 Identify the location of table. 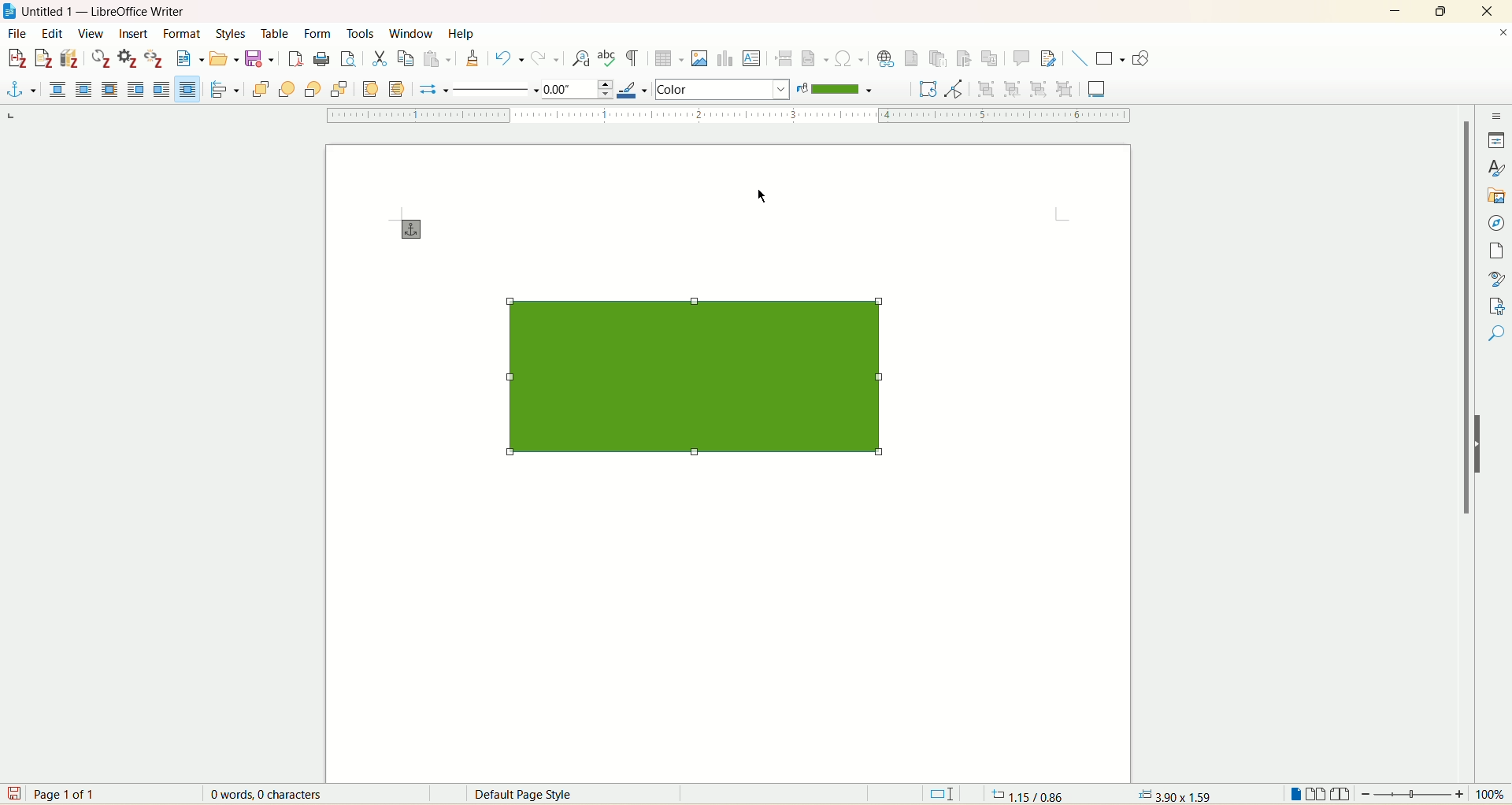
(276, 32).